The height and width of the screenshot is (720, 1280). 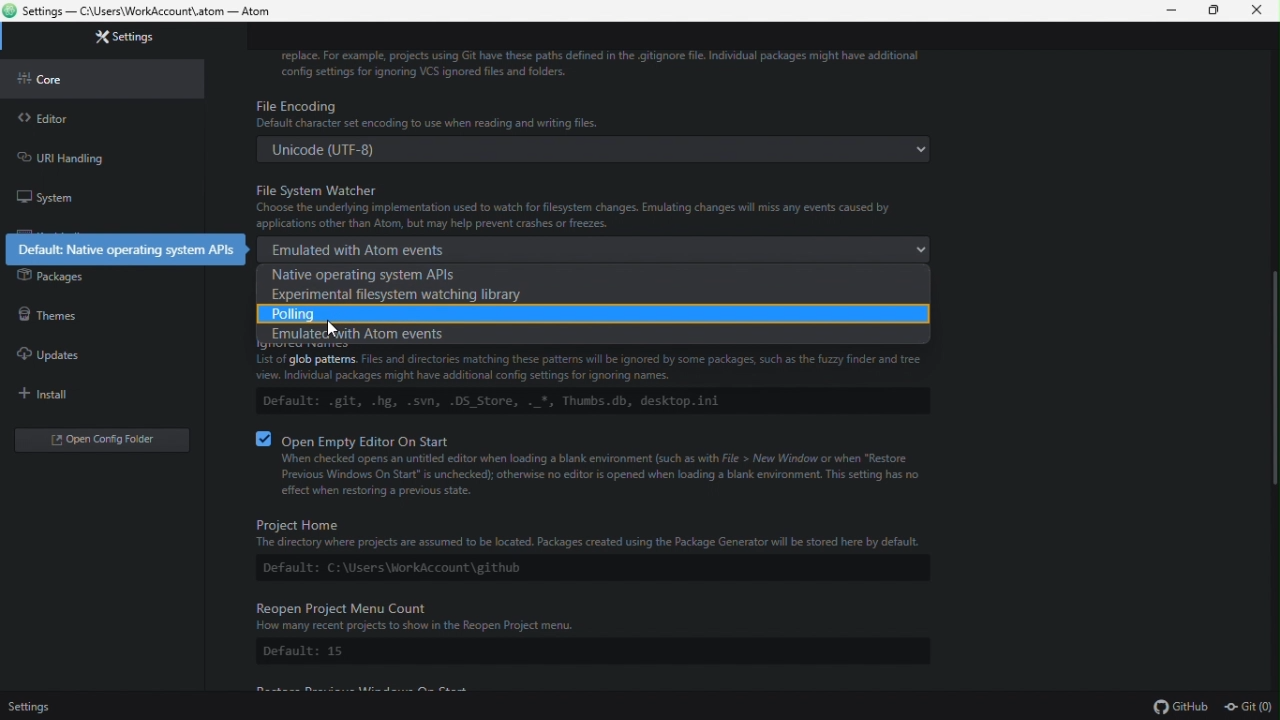 I want to click on Reopen Project Menu Count How many recent projects to show in the Reopen Project menu., so click(x=569, y=616).